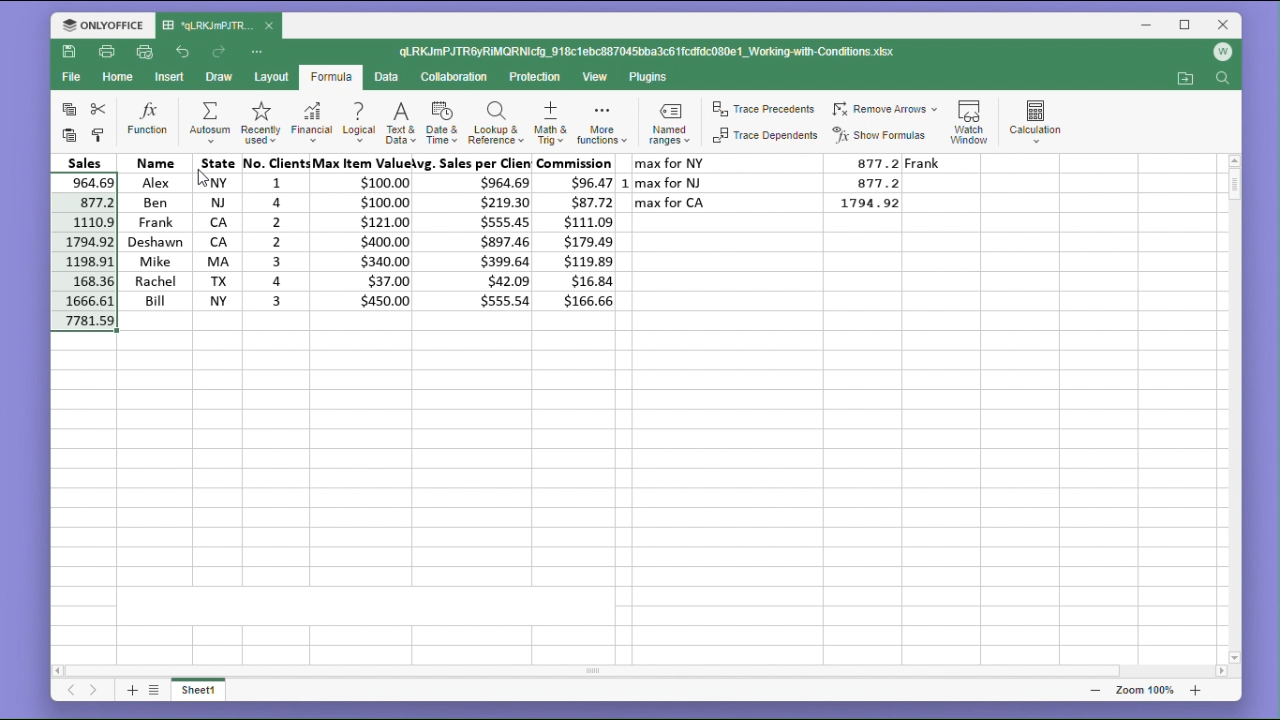 The height and width of the screenshot is (720, 1280). What do you see at coordinates (66, 110) in the screenshot?
I see `copy` at bounding box center [66, 110].